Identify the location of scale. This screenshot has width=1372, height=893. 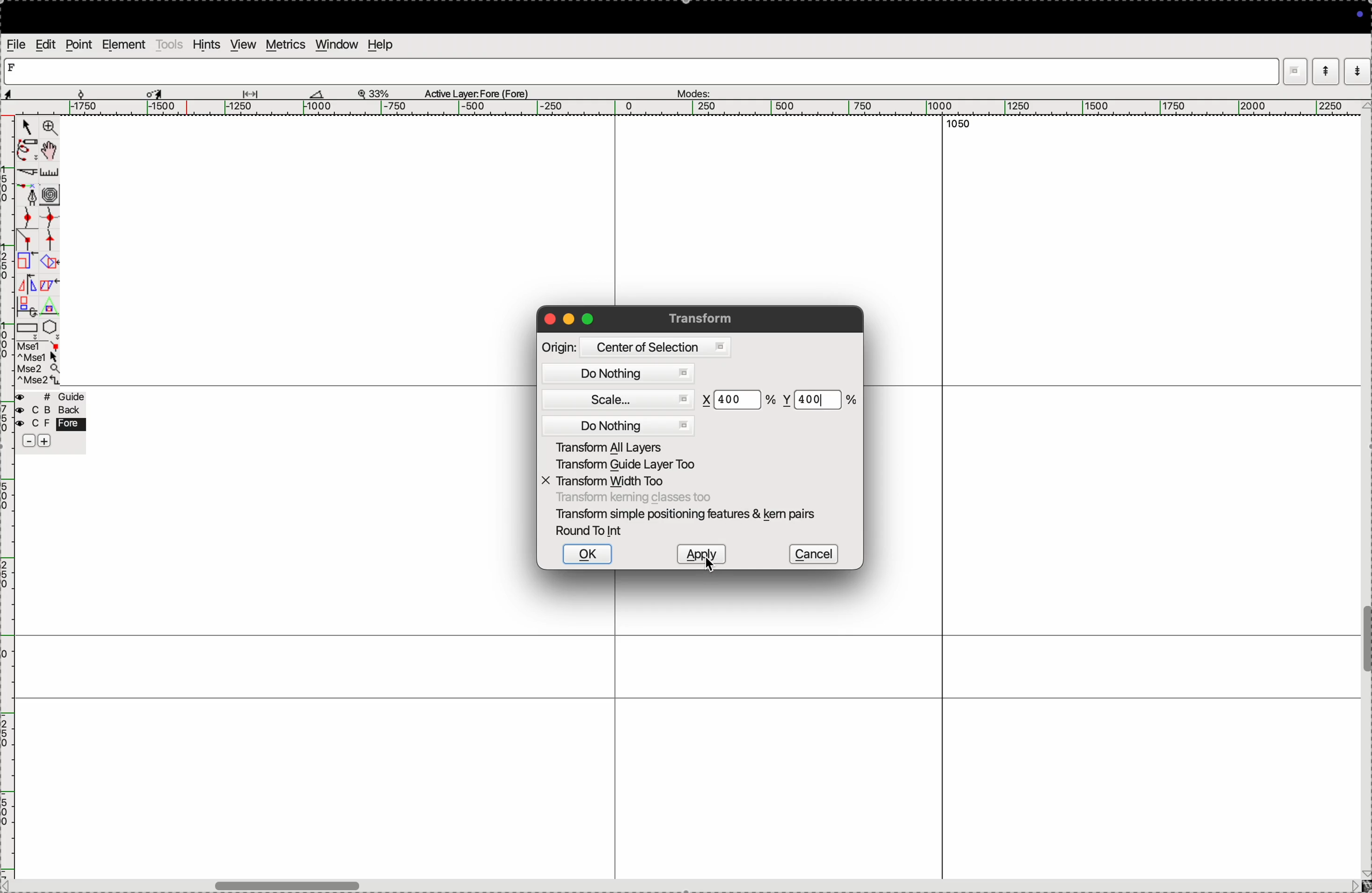
(623, 401).